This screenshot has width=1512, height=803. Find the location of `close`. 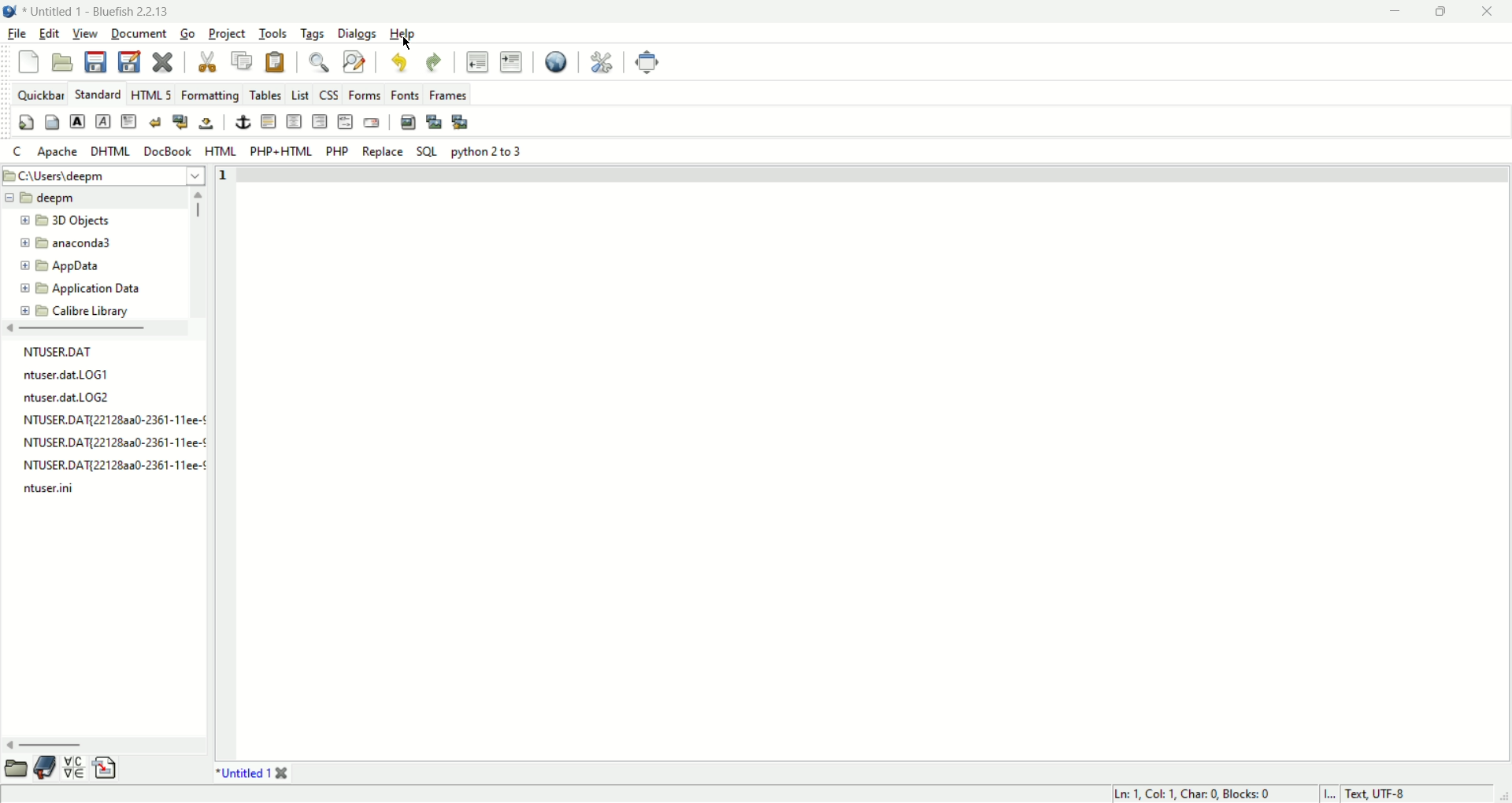

close is located at coordinates (280, 773).